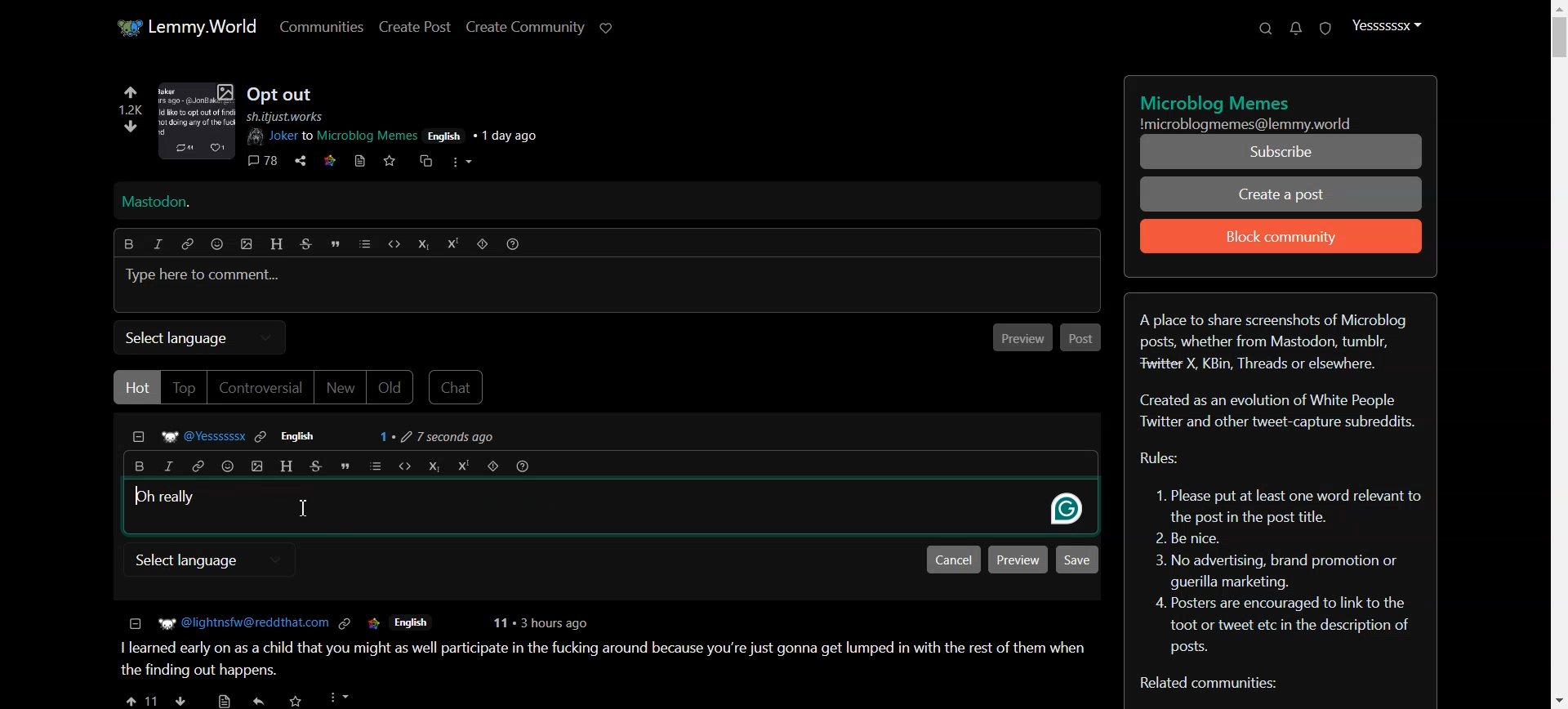 The width and height of the screenshot is (1568, 709). Describe the element at coordinates (197, 466) in the screenshot. I see `Hyperlink` at that location.